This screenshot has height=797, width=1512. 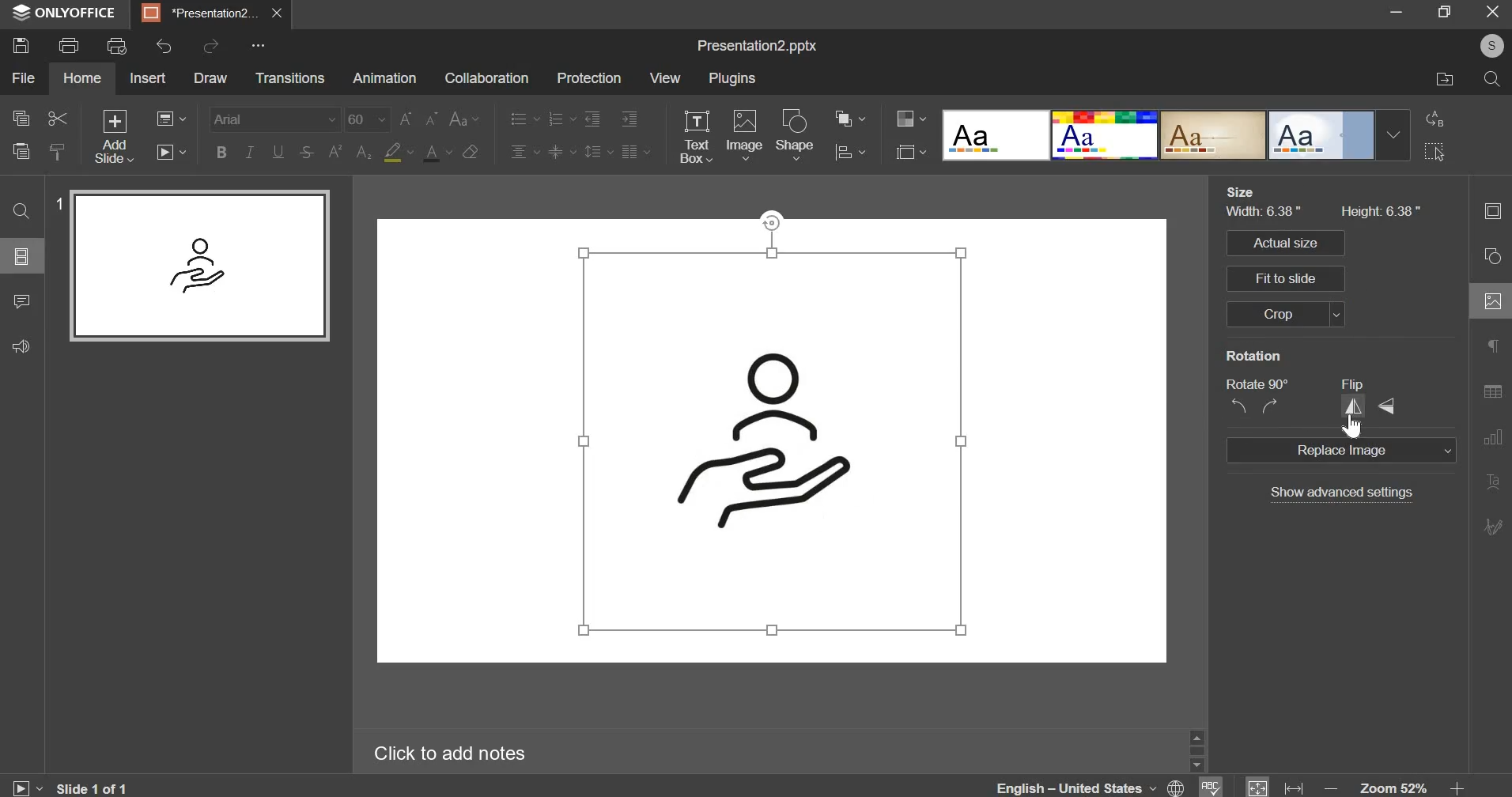 I want to click on select, so click(x=1435, y=152).